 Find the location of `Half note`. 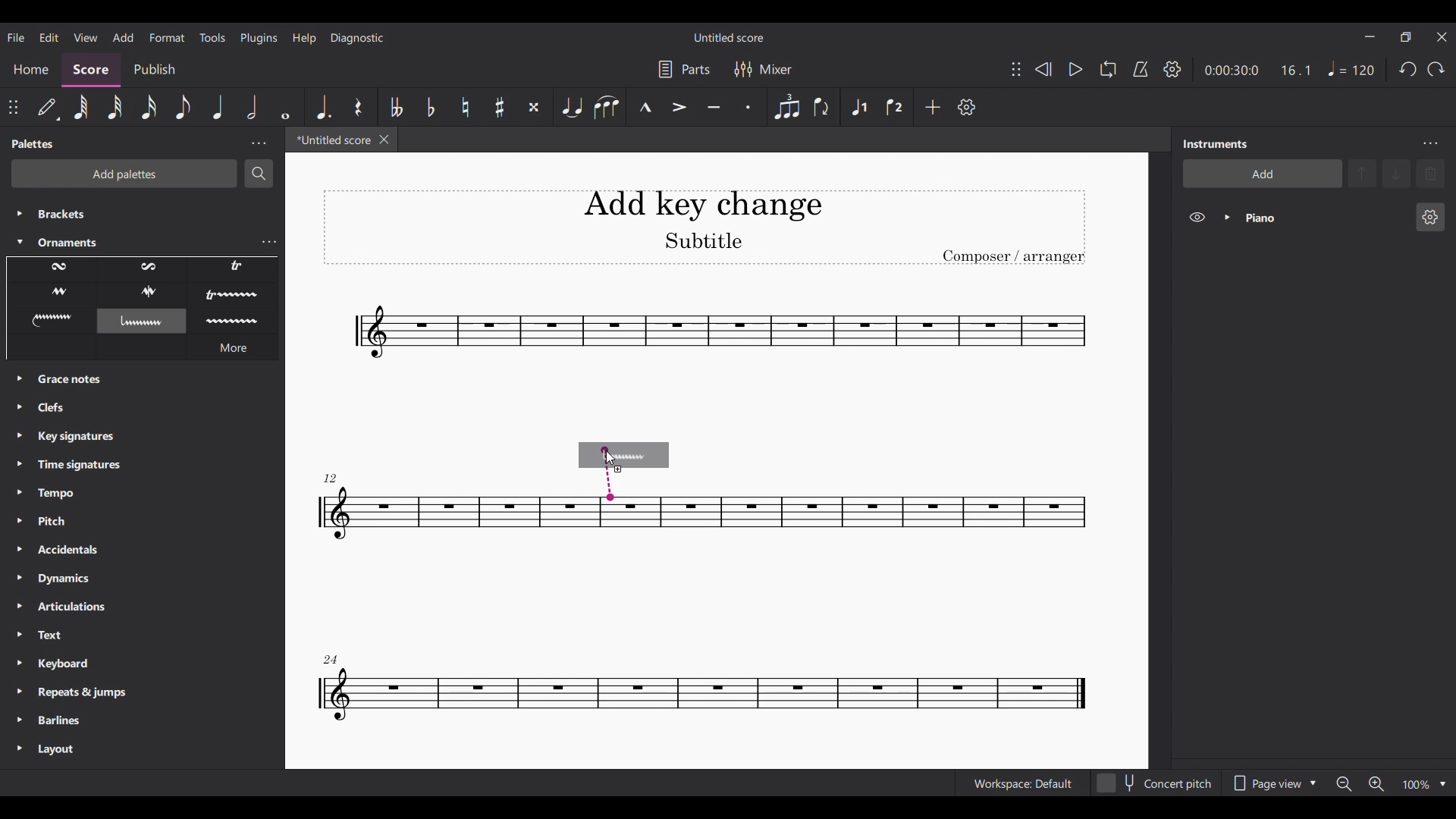

Half note is located at coordinates (253, 106).